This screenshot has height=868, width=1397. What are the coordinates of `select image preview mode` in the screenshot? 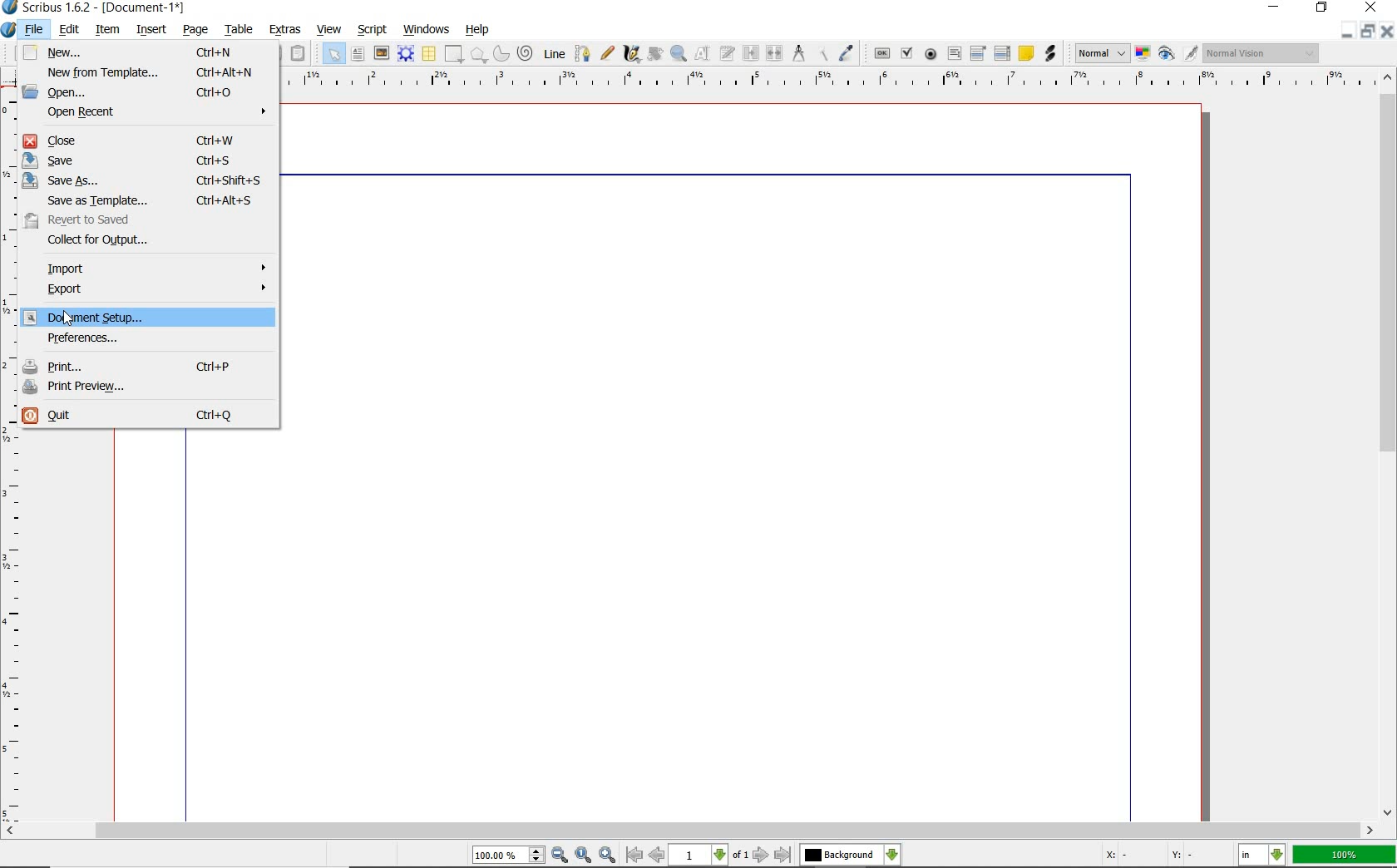 It's located at (1102, 54).